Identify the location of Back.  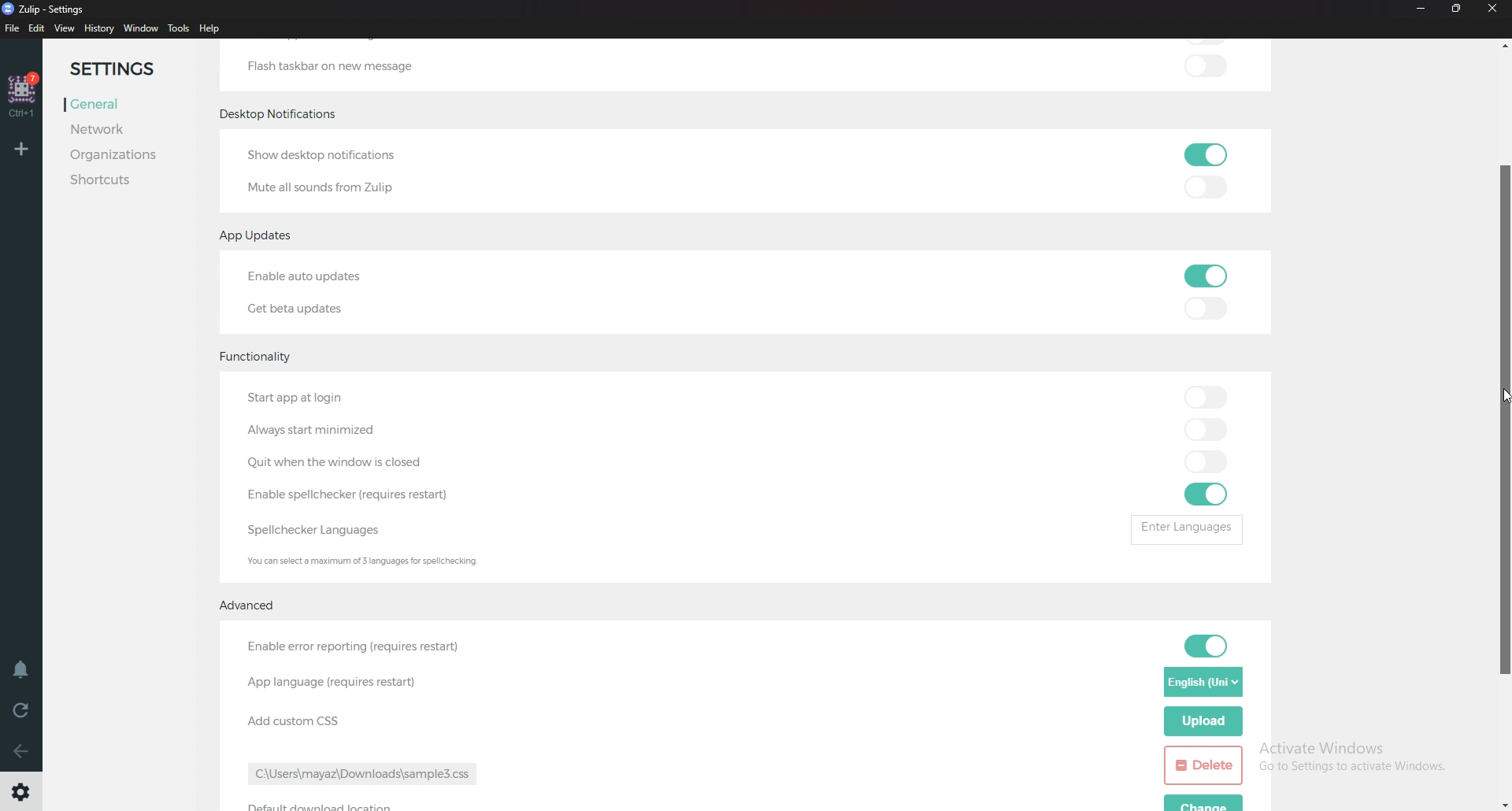
(22, 754).